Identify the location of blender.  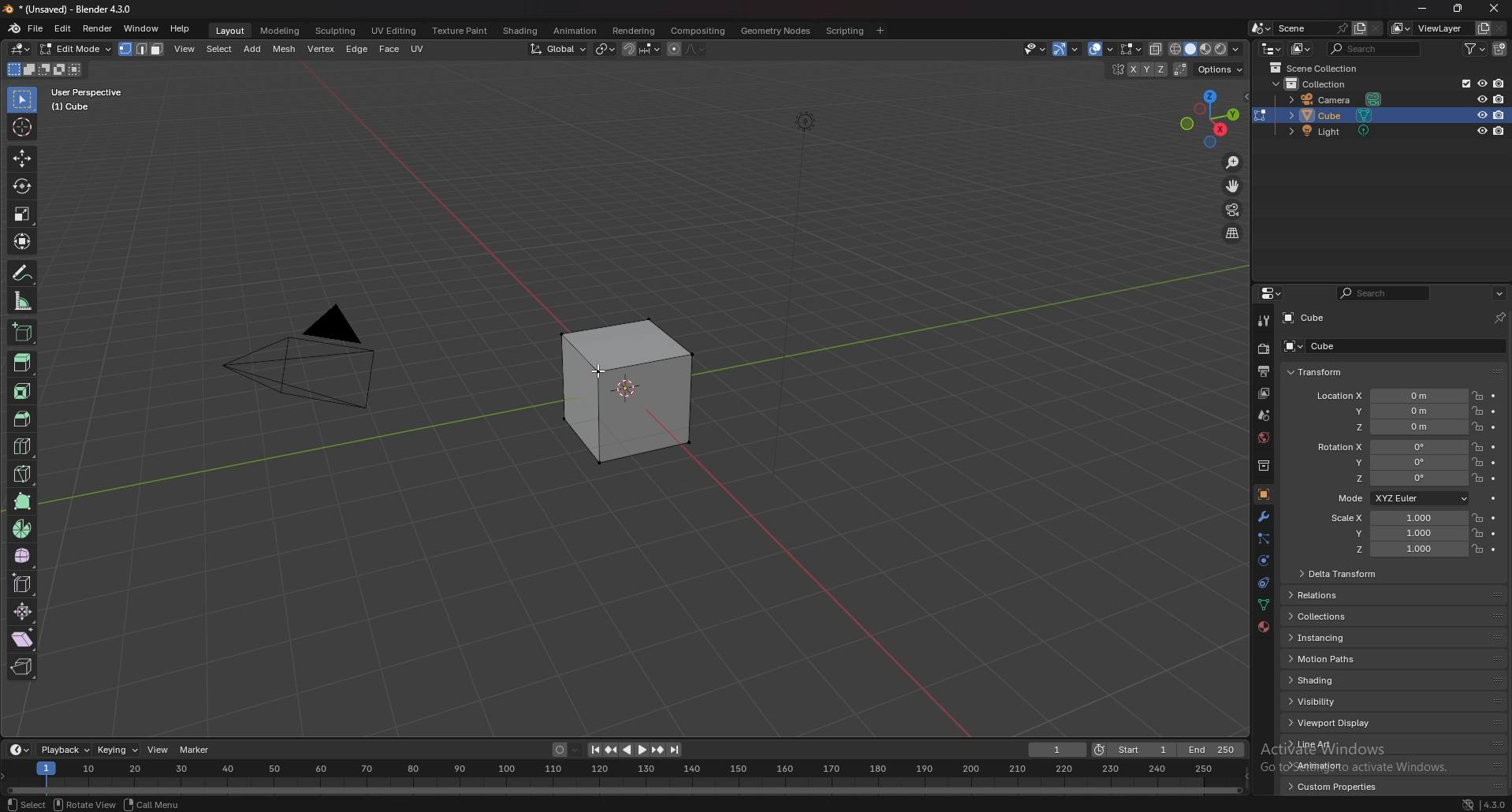
(13, 28).